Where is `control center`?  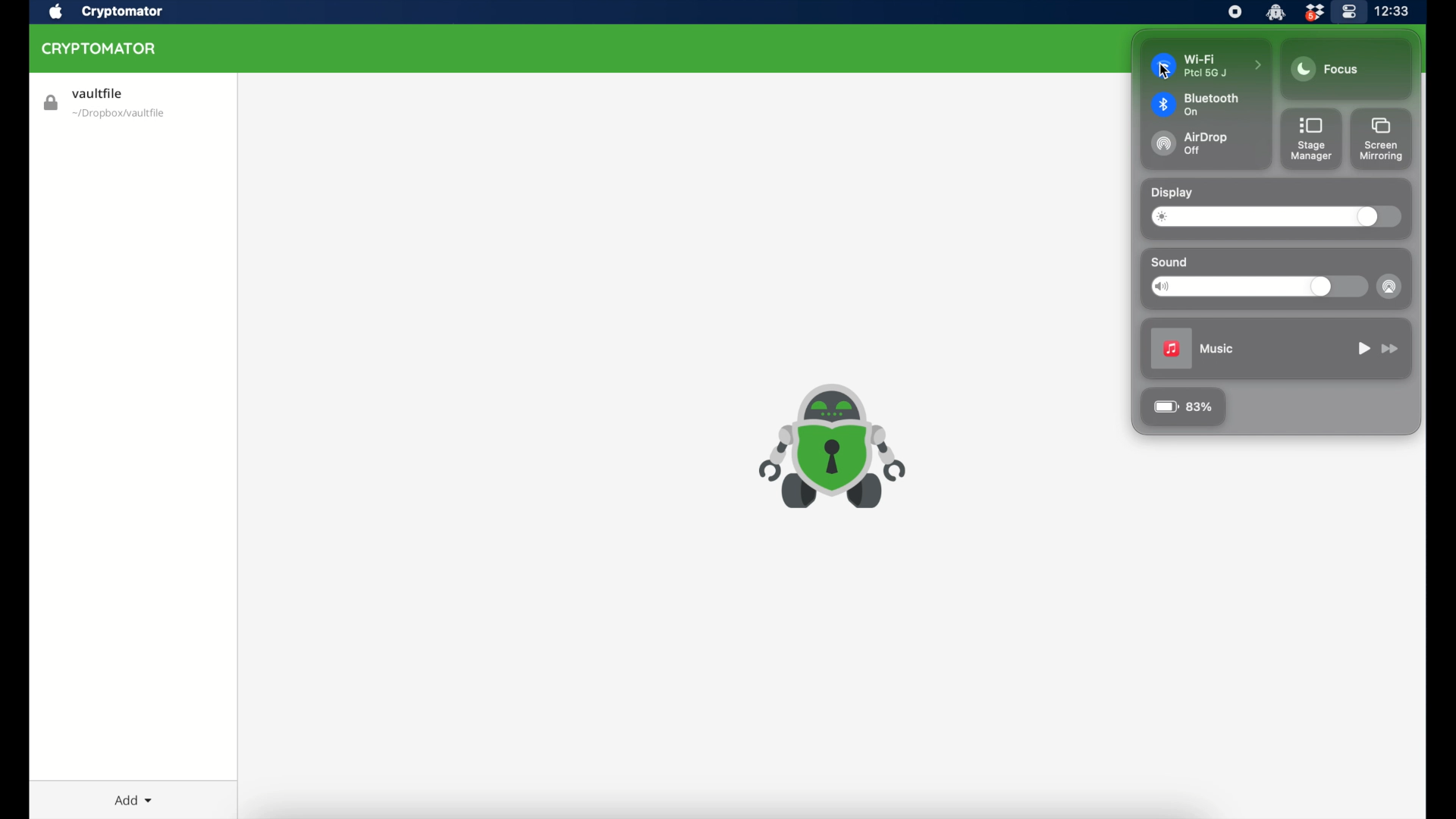 control center is located at coordinates (1348, 11).